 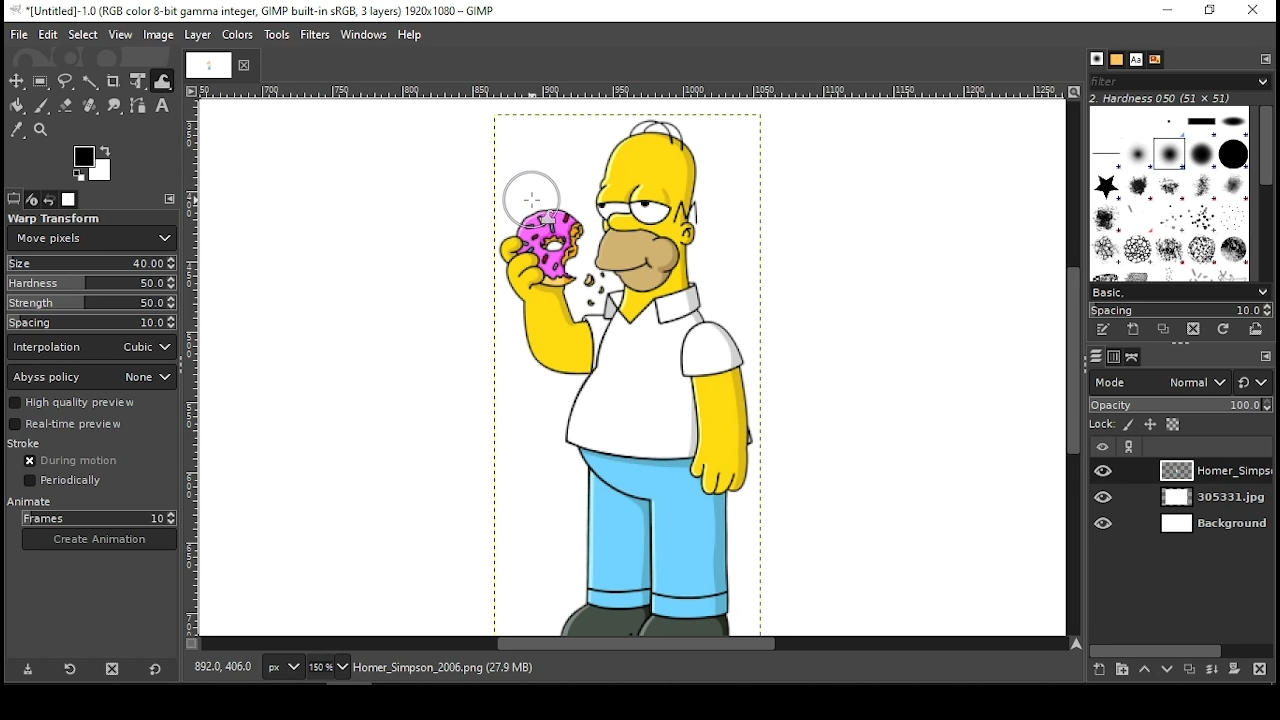 I want to click on scroll bar, so click(x=1268, y=194).